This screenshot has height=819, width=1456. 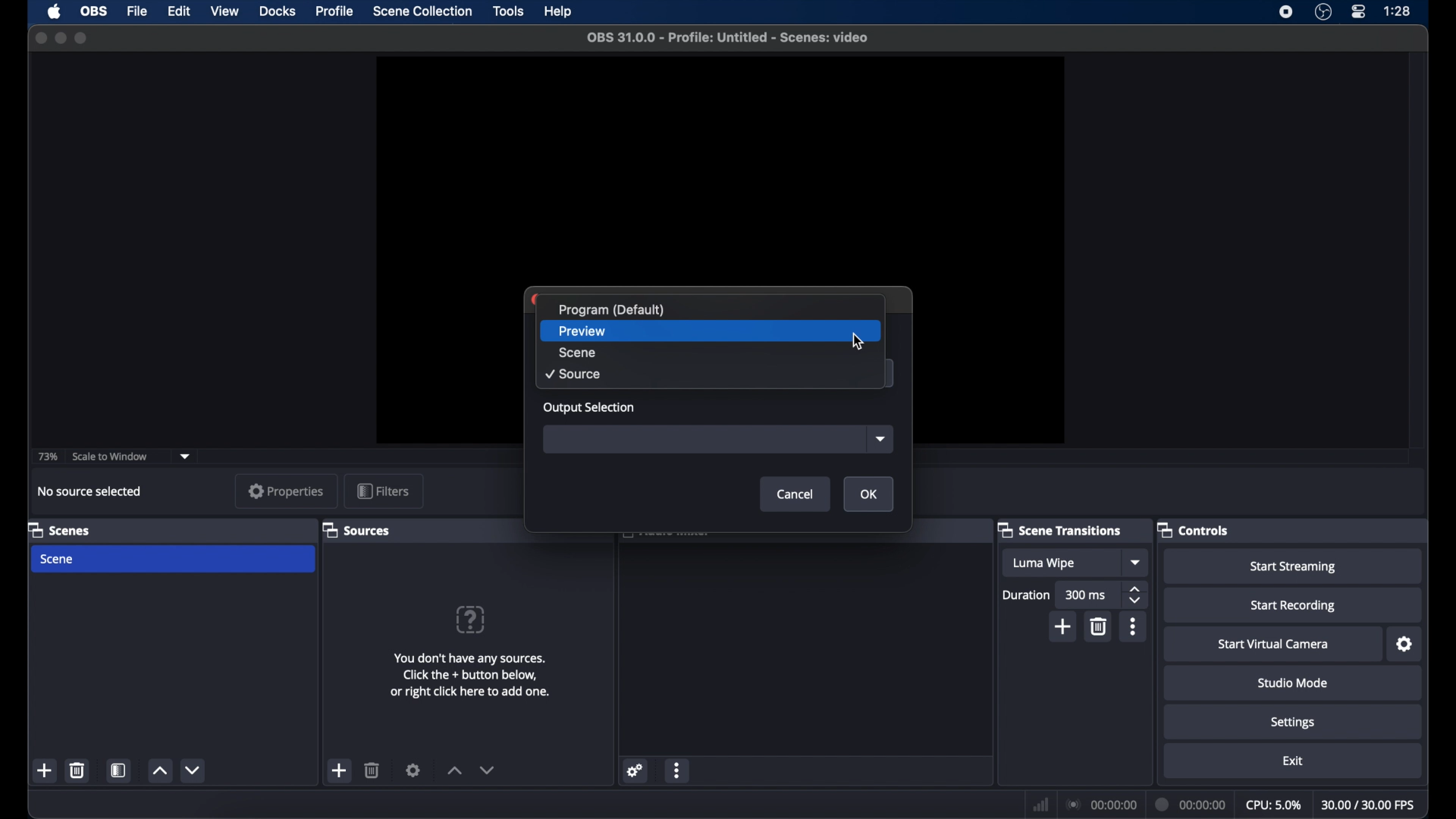 I want to click on add sources information, so click(x=470, y=676).